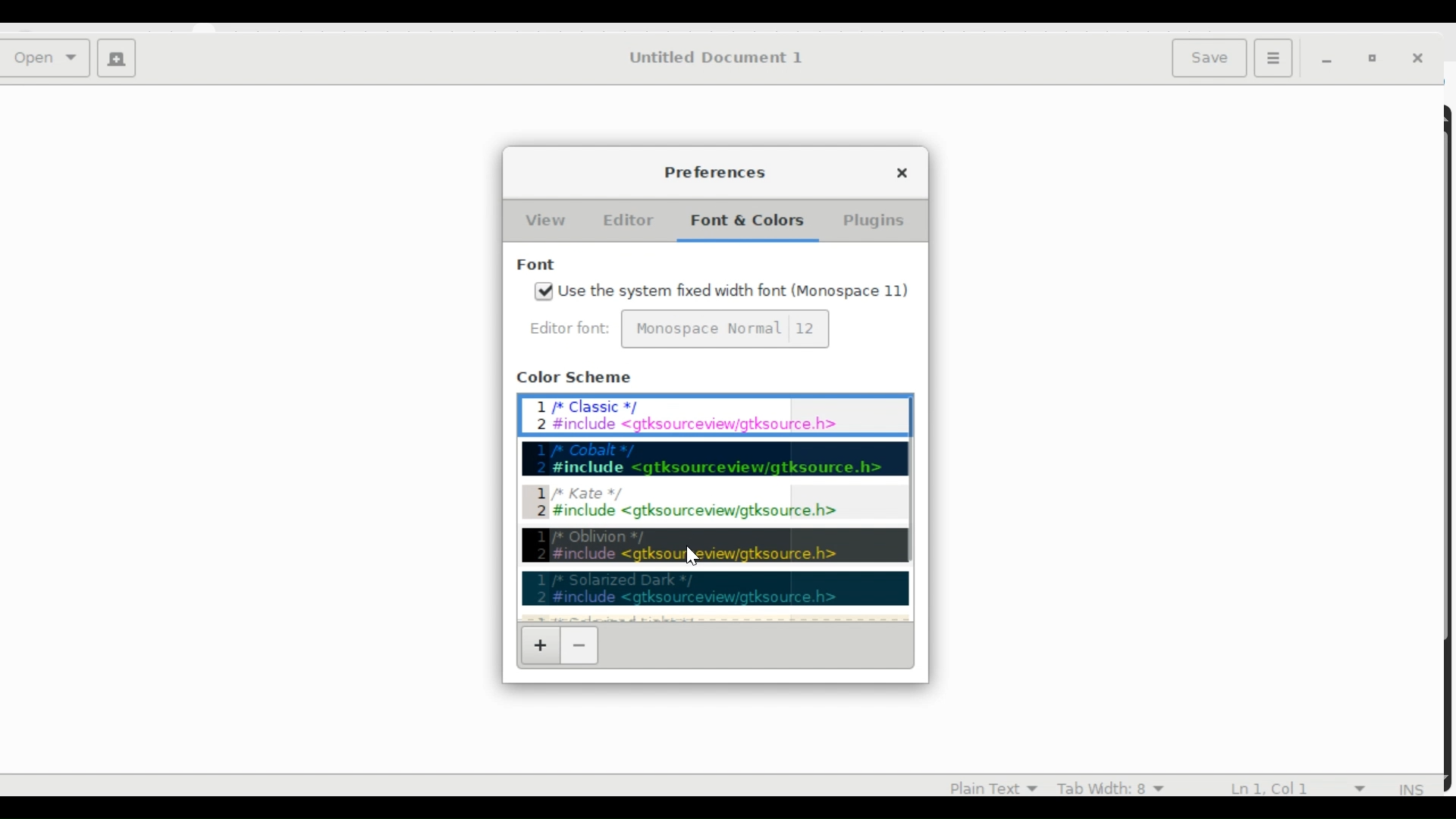 Image resolution: width=1456 pixels, height=819 pixels. I want to click on line and column numbers, so click(1302, 786).